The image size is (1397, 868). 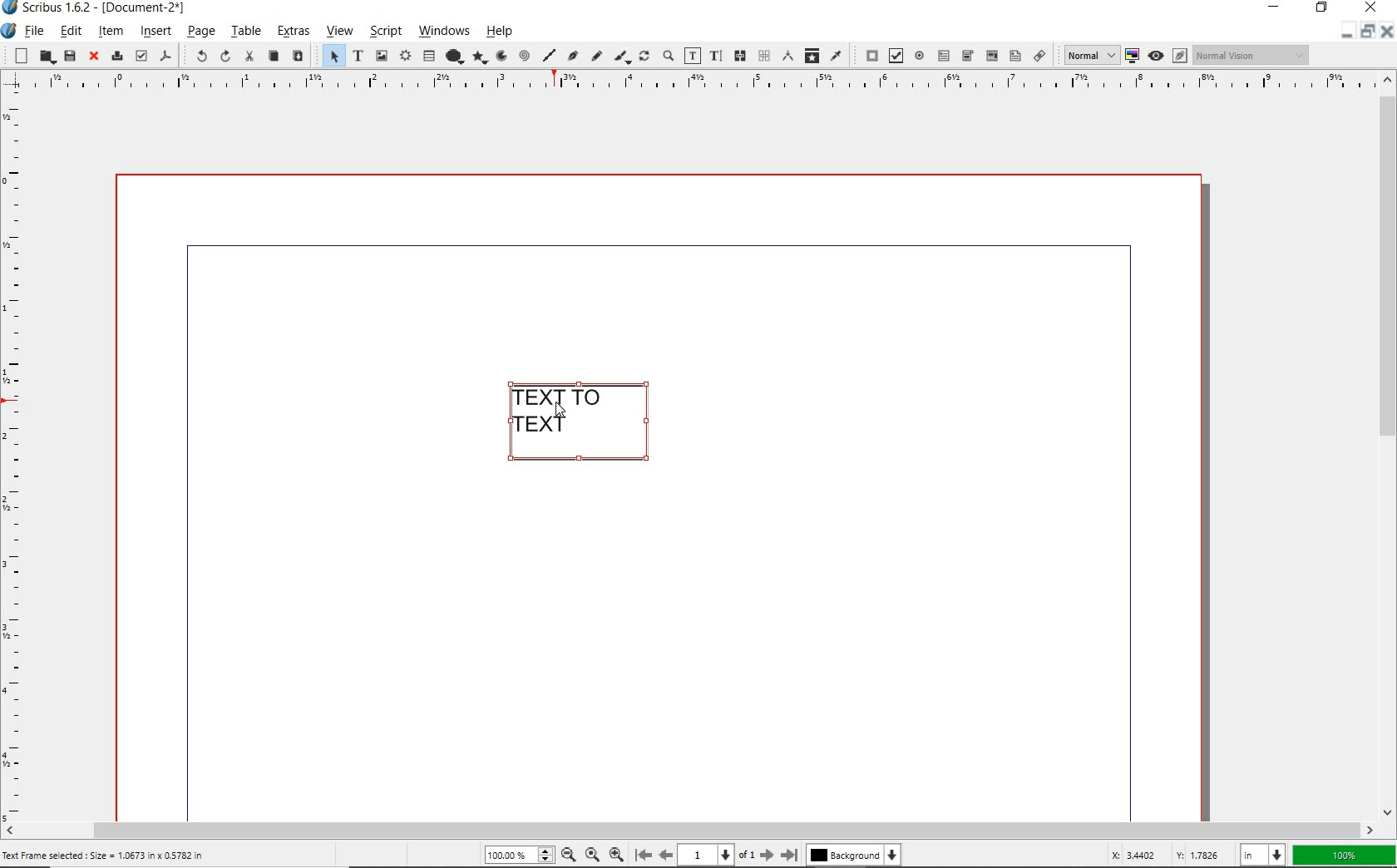 I want to click on visual appearance of display, so click(x=1251, y=55).